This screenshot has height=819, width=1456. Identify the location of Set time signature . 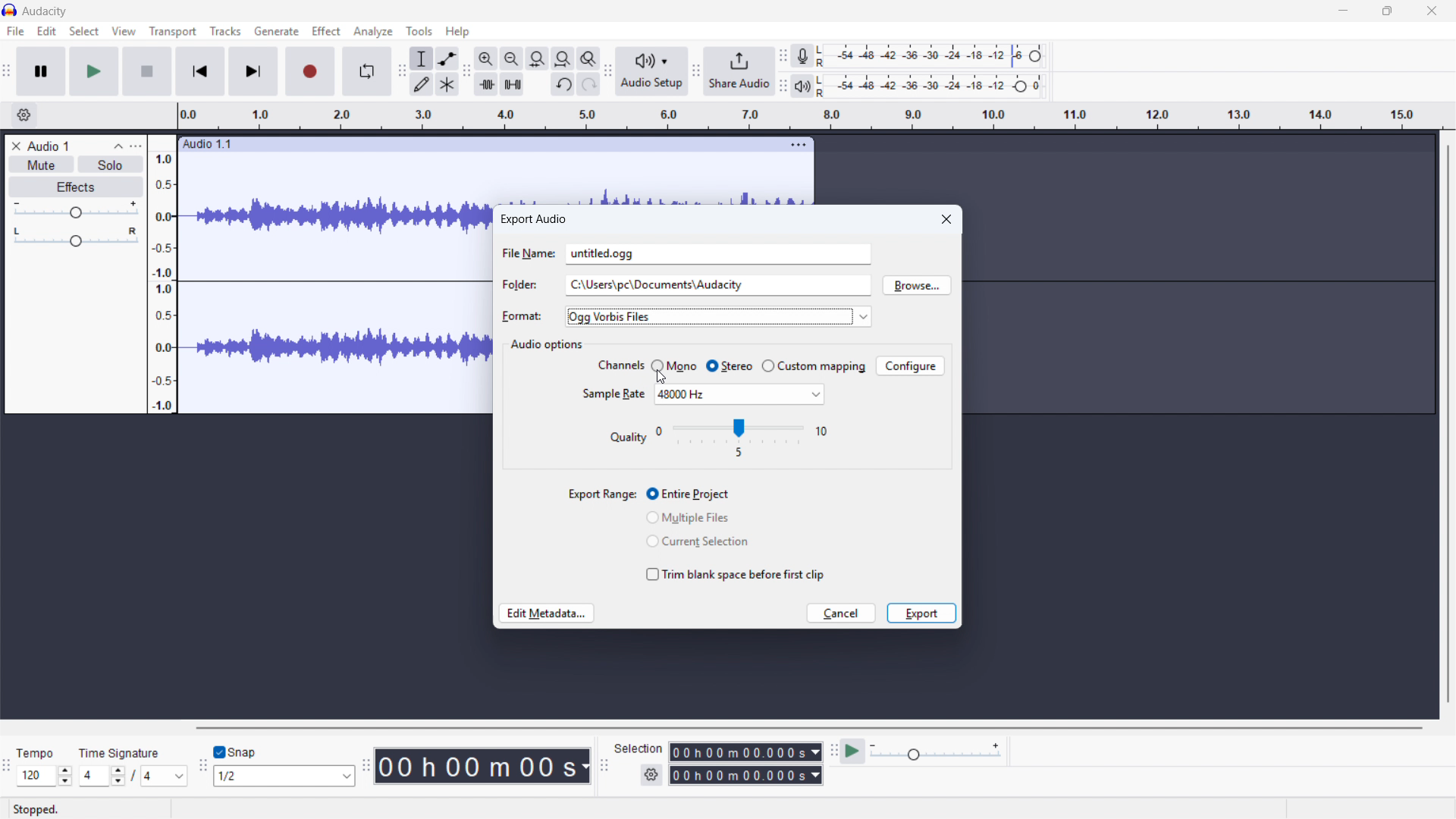
(167, 777).